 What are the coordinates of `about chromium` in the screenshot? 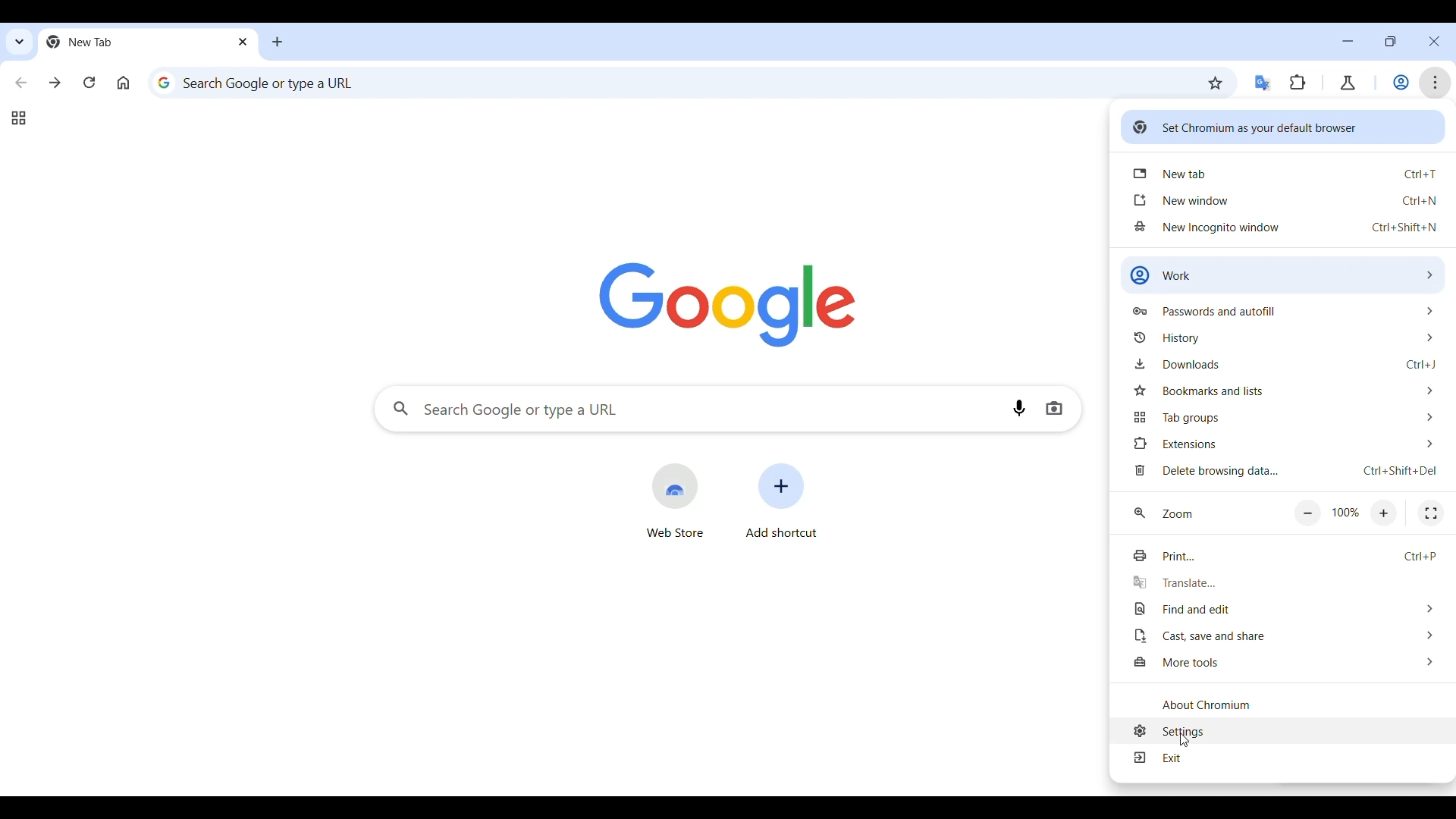 It's located at (1285, 704).